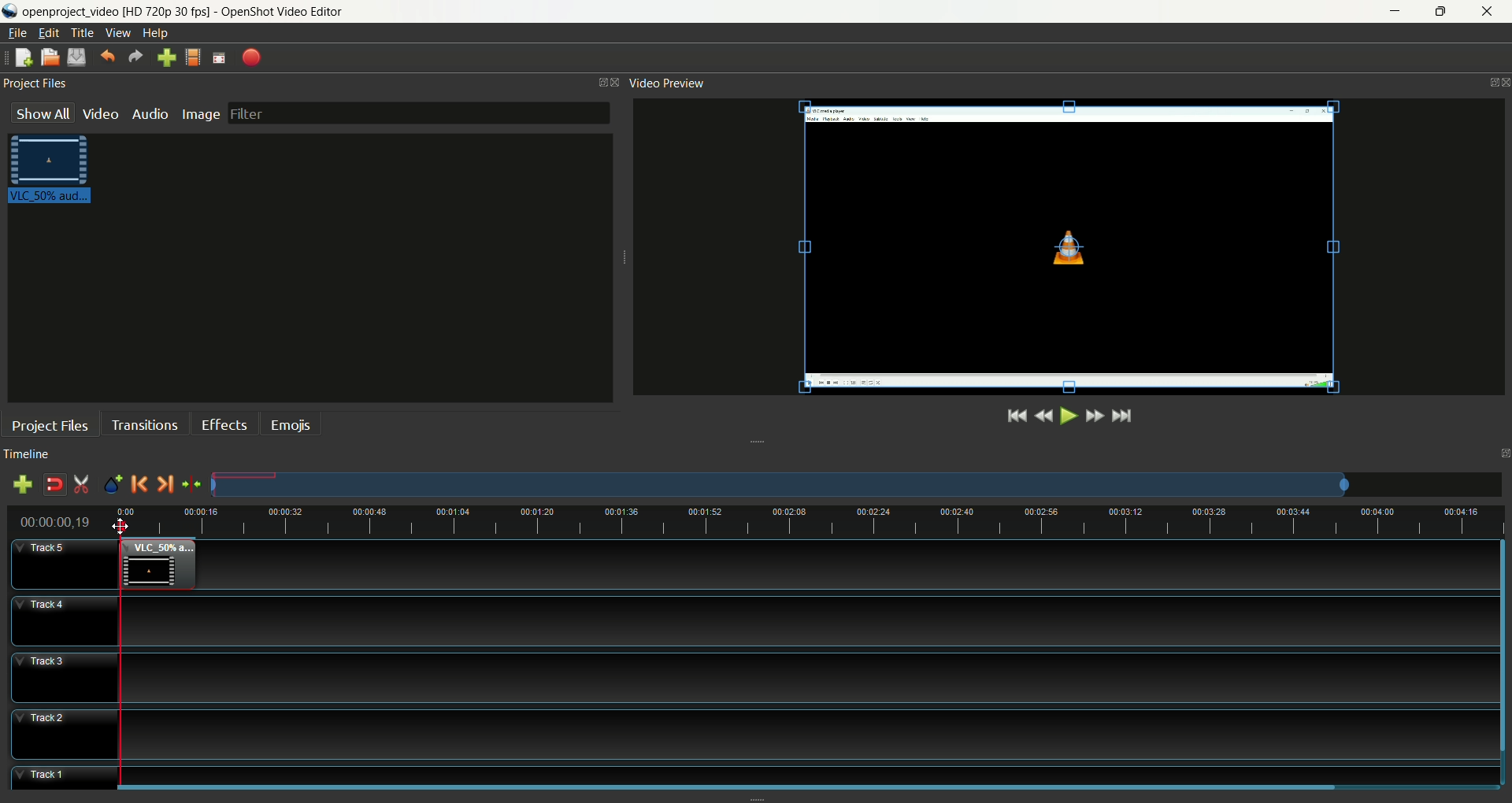  I want to click on openproject video [HD 720p 30 fps] - OpenShot Video Editor, so click(194, 9).